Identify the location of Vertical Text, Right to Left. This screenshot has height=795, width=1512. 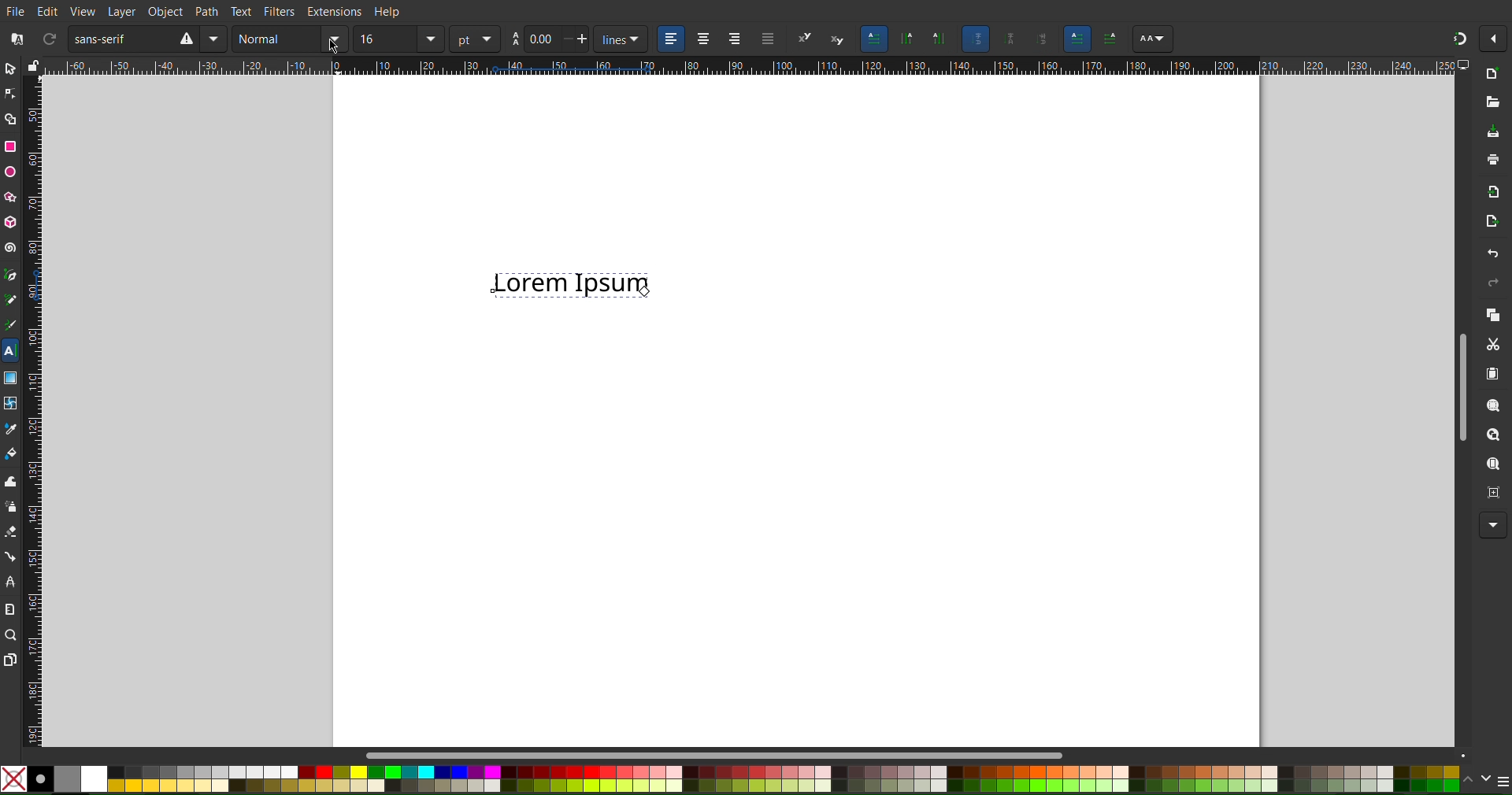
(906, 40).